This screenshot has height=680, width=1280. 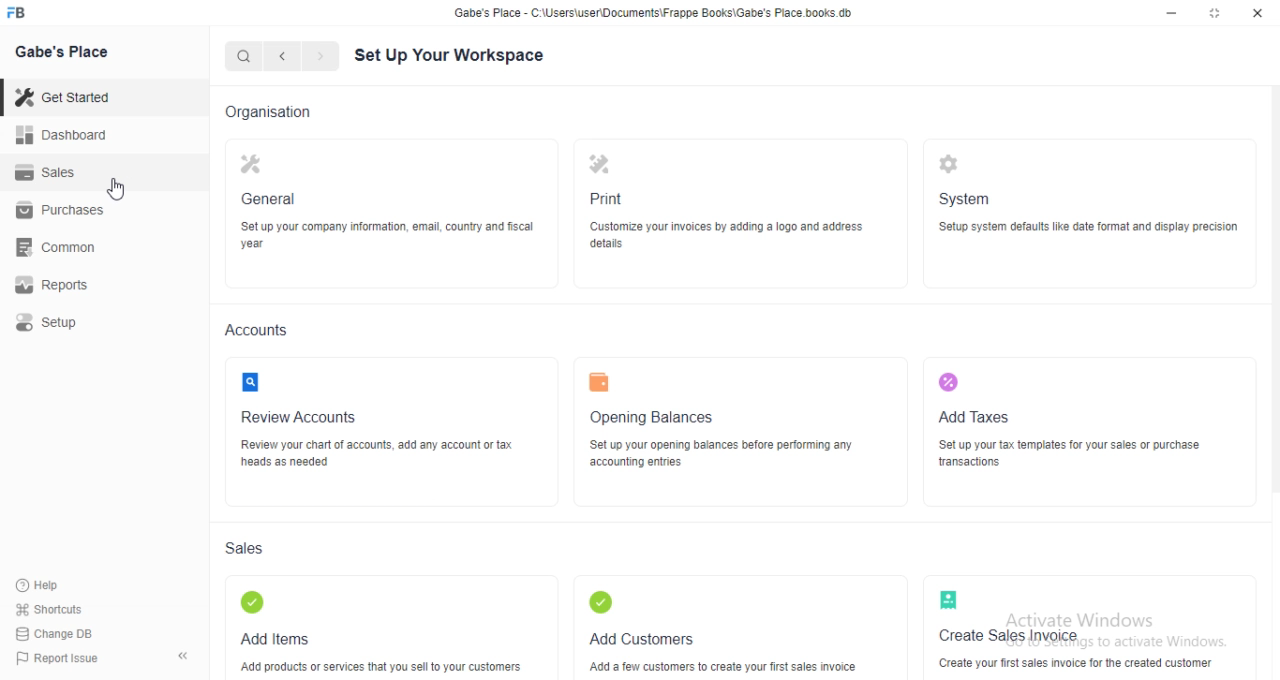 What do you see at coordinates (61, 660) in the screenshot?
I see `Report Issue` at bounding box center [61, 660].